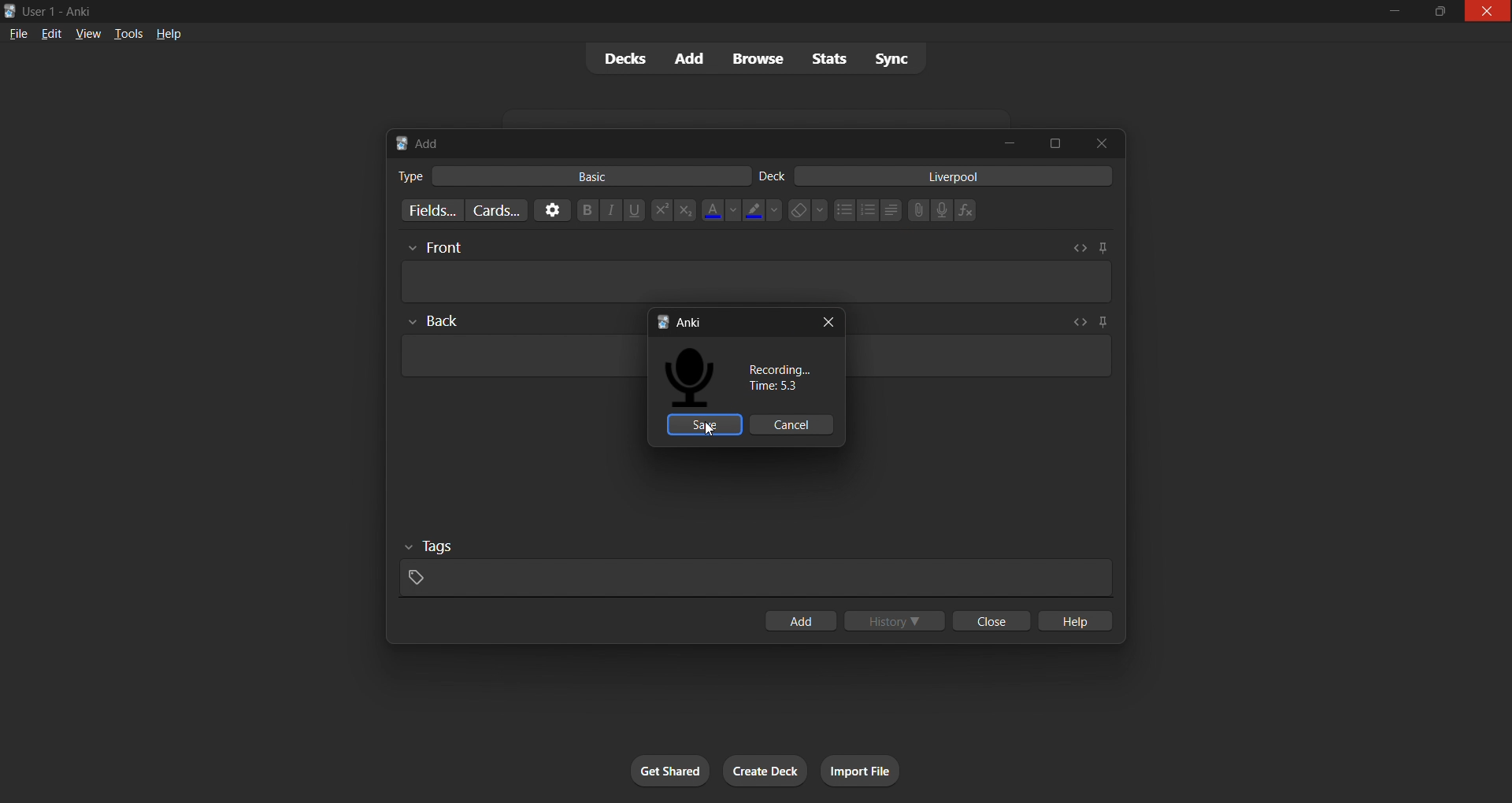 This screenshot has height=803, width=1512. What do you see at coordinates (437, 324) in the screenshot?
I see `back` at bounding box center [437, 324].